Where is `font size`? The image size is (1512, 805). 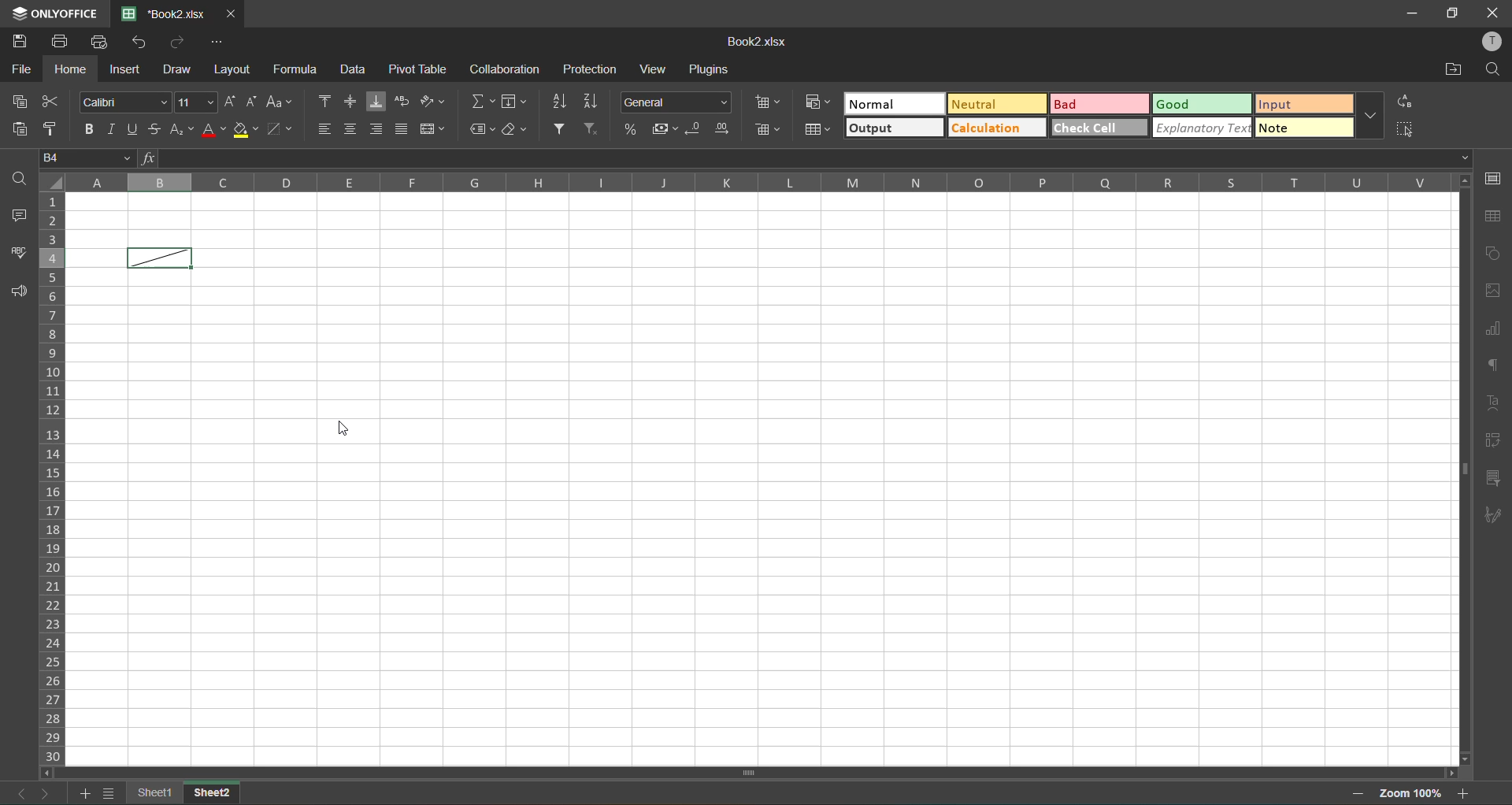 font size is located at coordinates (194, 102).